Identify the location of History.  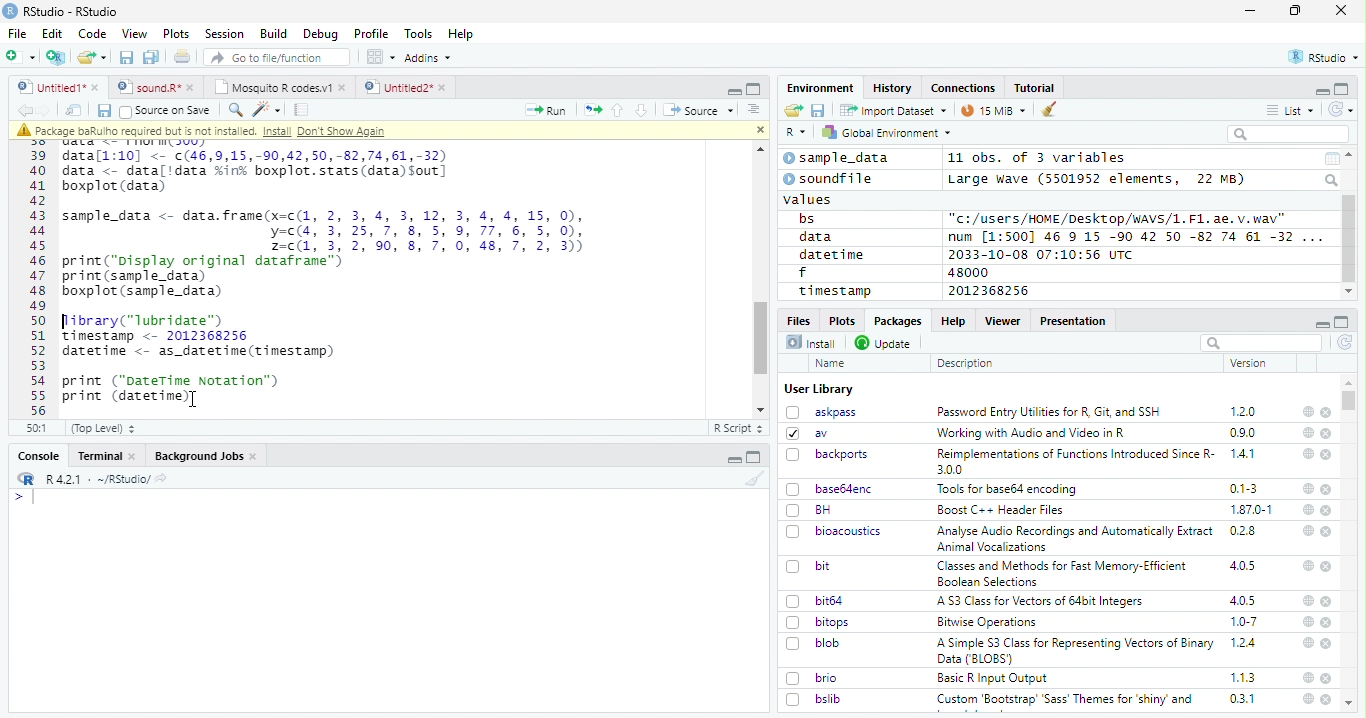
(893, 88).